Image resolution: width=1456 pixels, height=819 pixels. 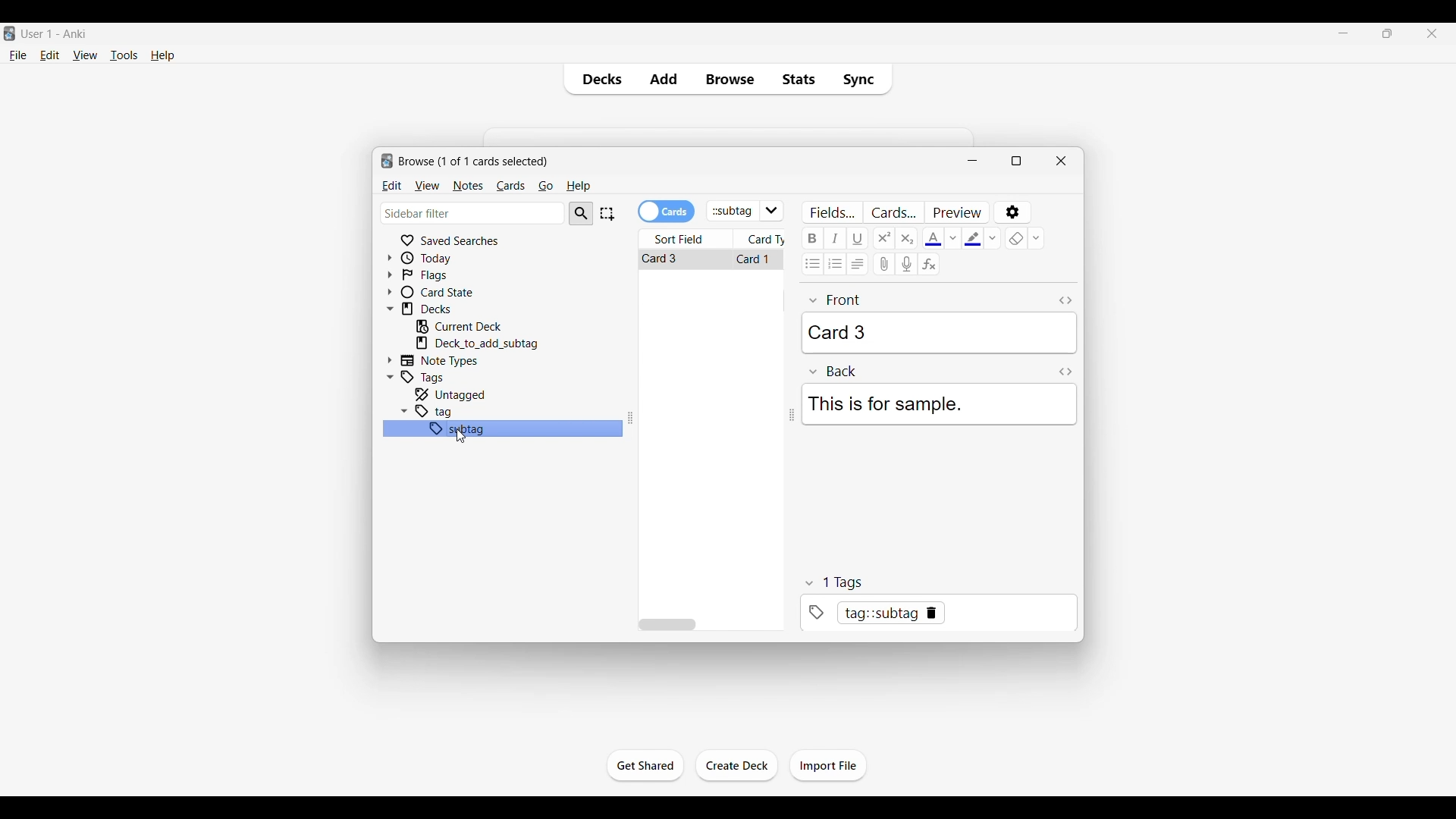 I want to click on Selected text highlight color, so click(x=973, y=238).